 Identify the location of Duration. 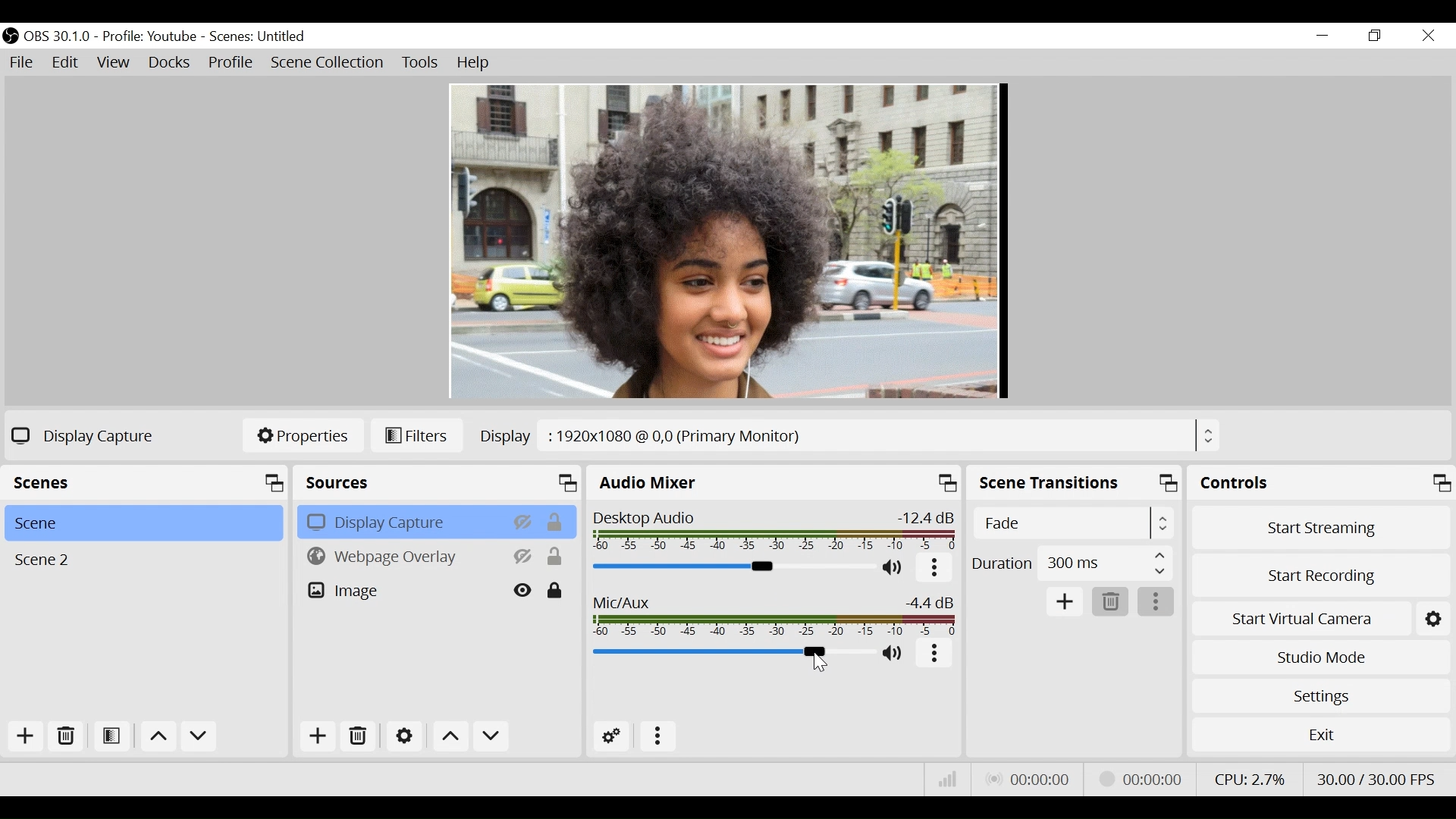
(1071, 564).